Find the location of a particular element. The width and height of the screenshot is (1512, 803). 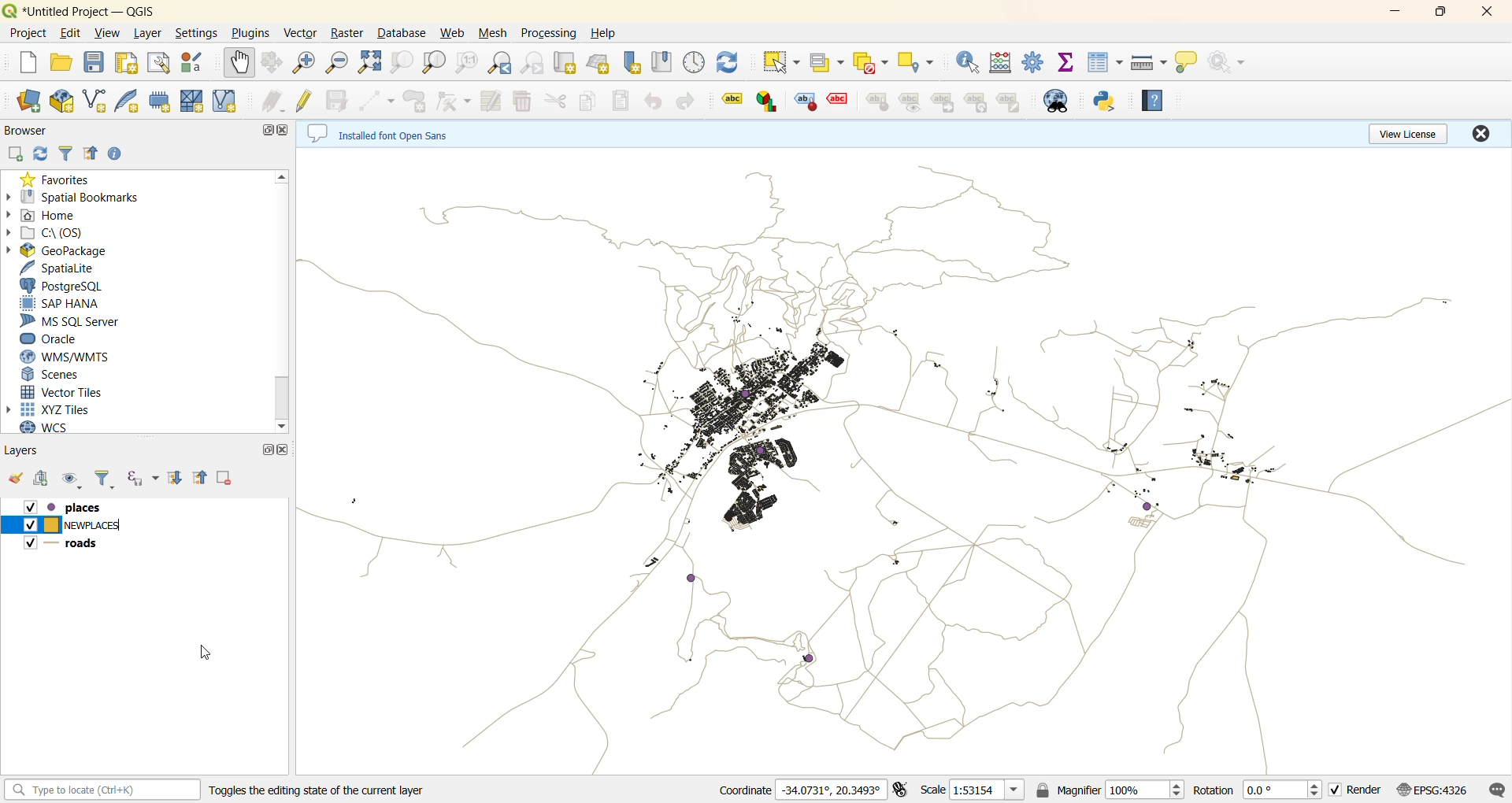

zoom full is located at coordinates (372, 62).